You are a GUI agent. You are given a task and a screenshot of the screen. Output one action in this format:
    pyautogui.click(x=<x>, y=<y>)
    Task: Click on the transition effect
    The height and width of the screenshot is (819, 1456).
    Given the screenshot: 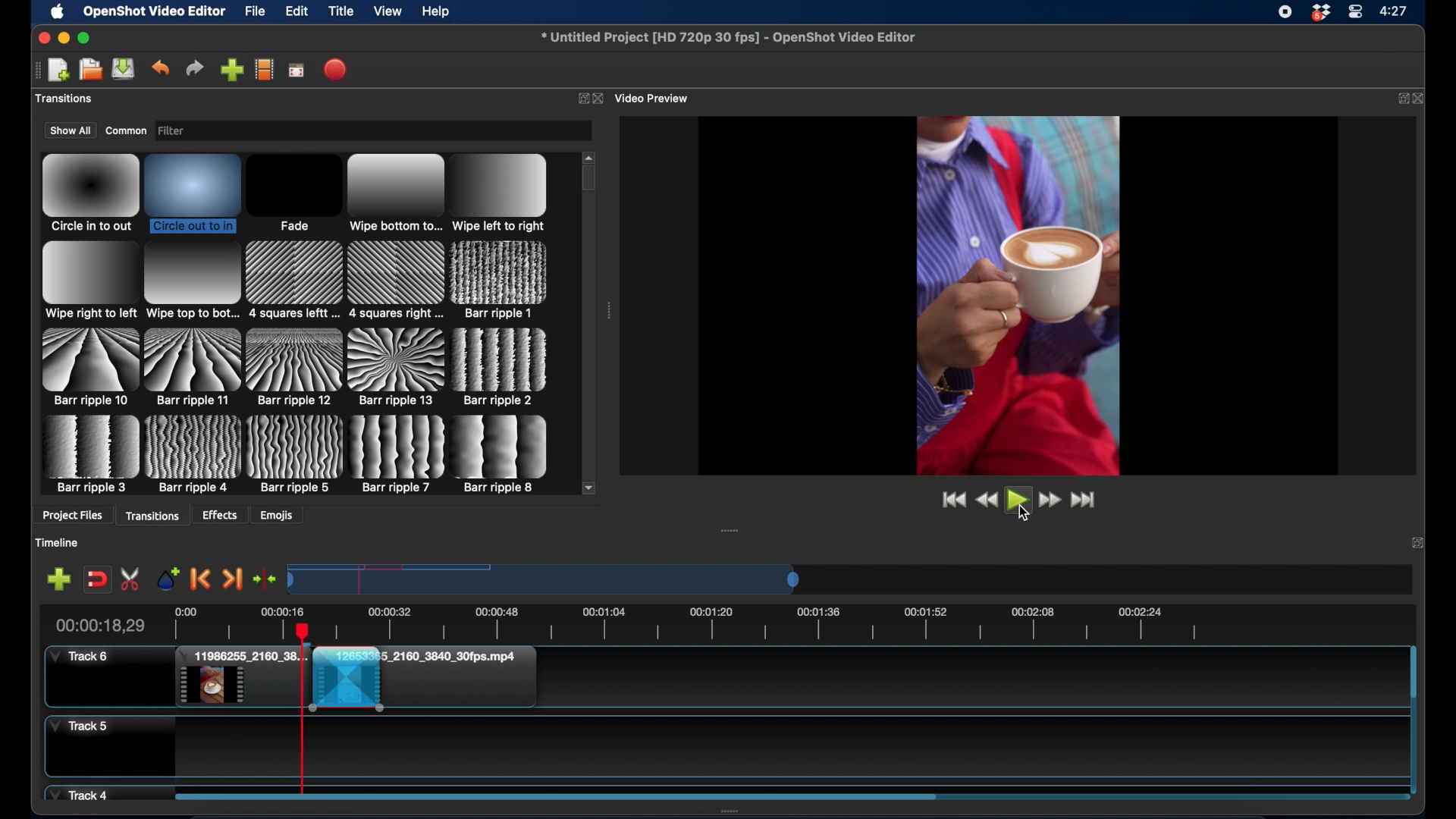 What is the action you would take?
    pyautogui.click(x=346, y=679)
    